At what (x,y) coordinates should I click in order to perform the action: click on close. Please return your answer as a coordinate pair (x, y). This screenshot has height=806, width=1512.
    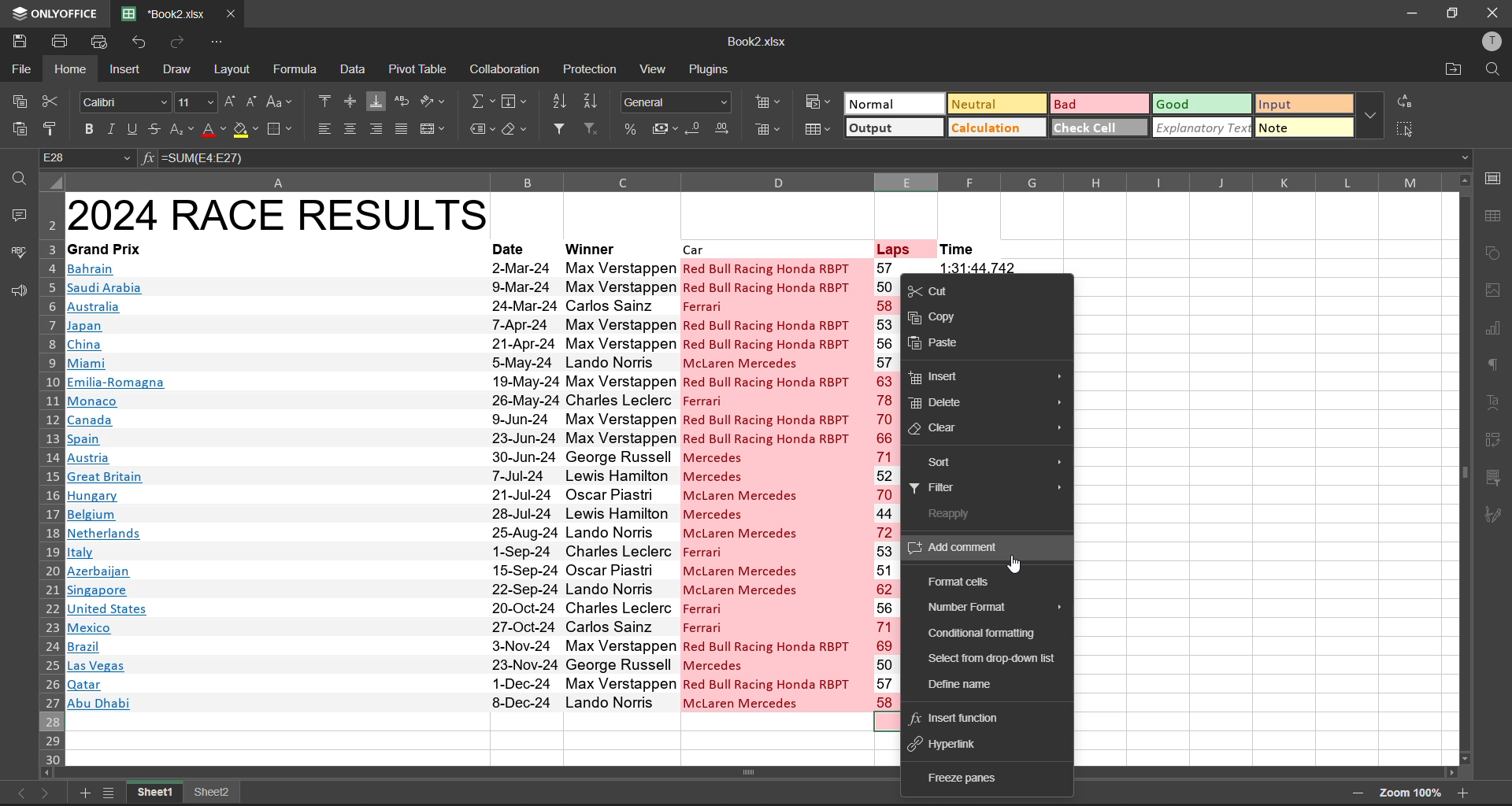
    Looking at the image, I should click on (1494, 12).